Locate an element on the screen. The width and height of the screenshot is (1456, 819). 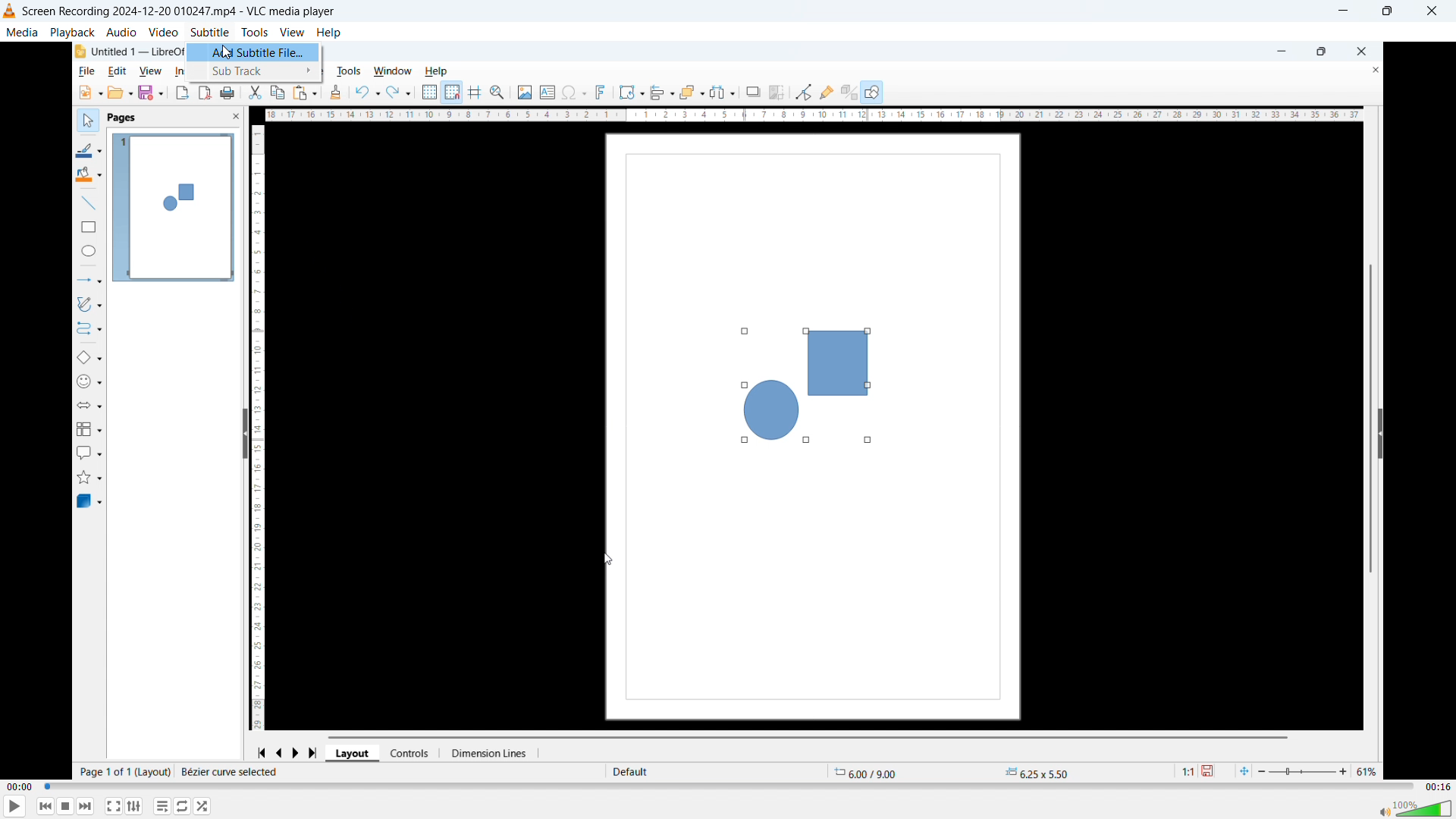
 Page 1 of 1 (Layout) is located at coordinates (124, 772).